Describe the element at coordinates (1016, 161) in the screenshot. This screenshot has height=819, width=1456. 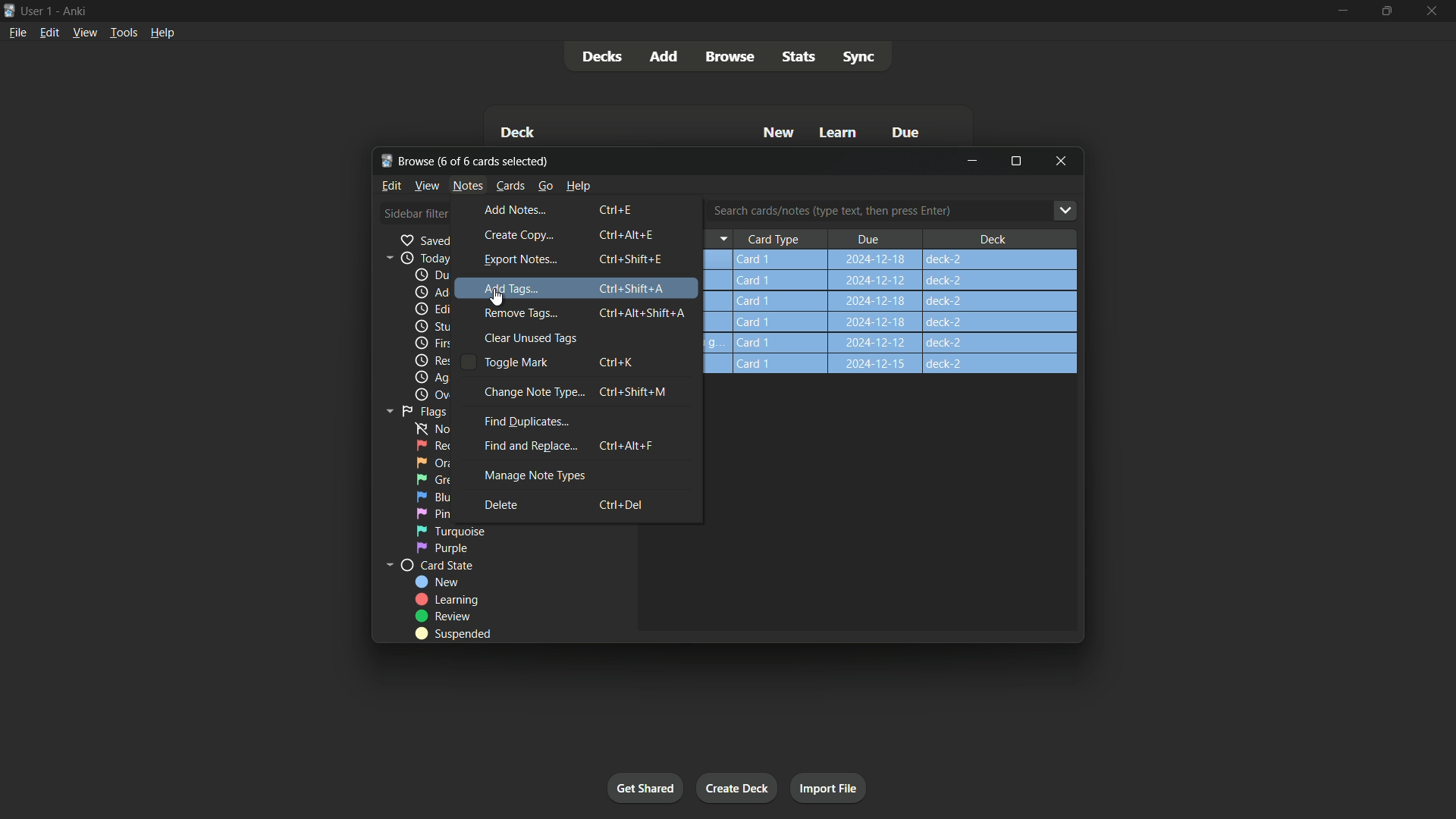
I see `Maximize` at that location.